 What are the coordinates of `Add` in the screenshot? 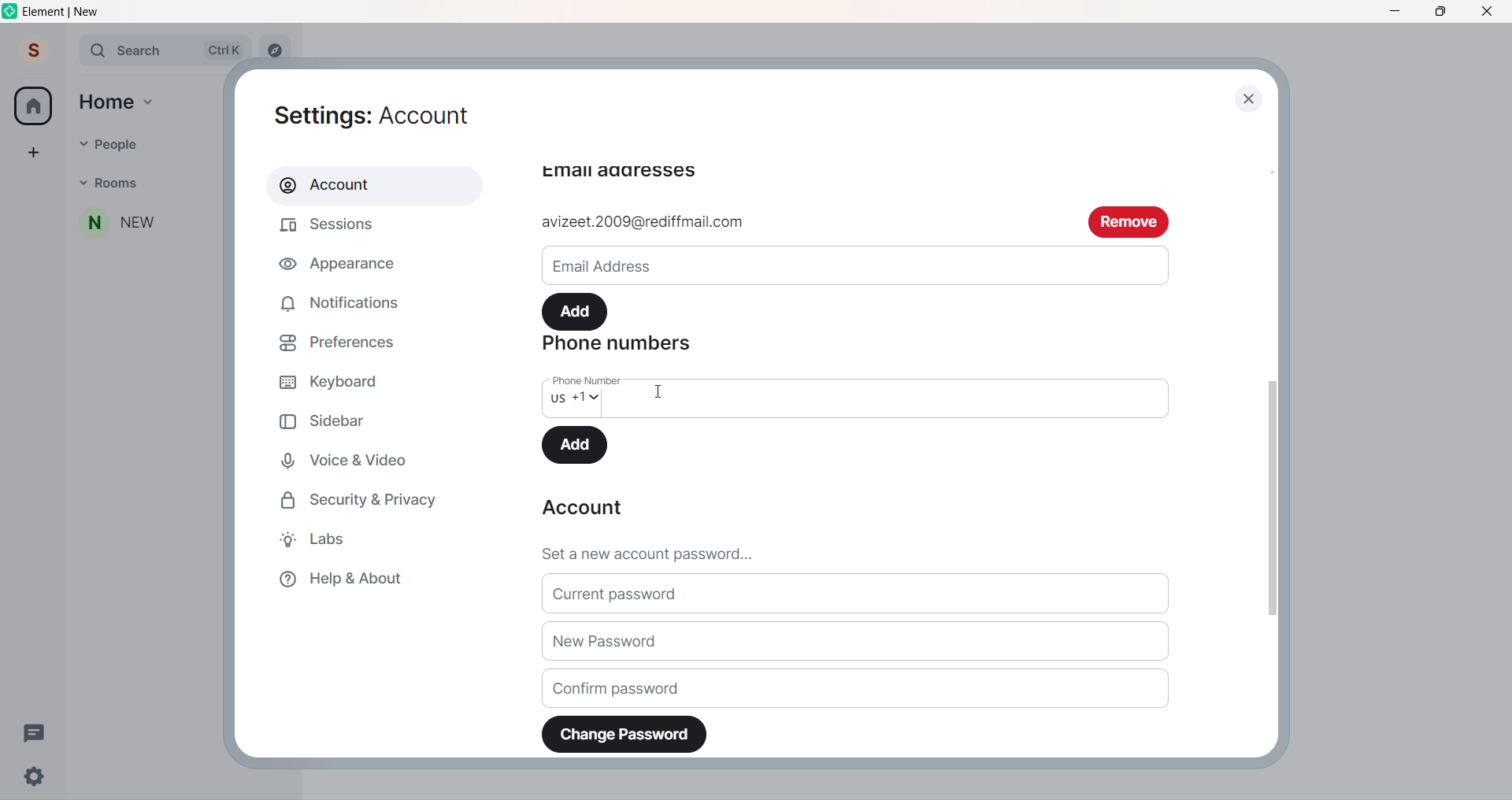 It's located at (577, 444).